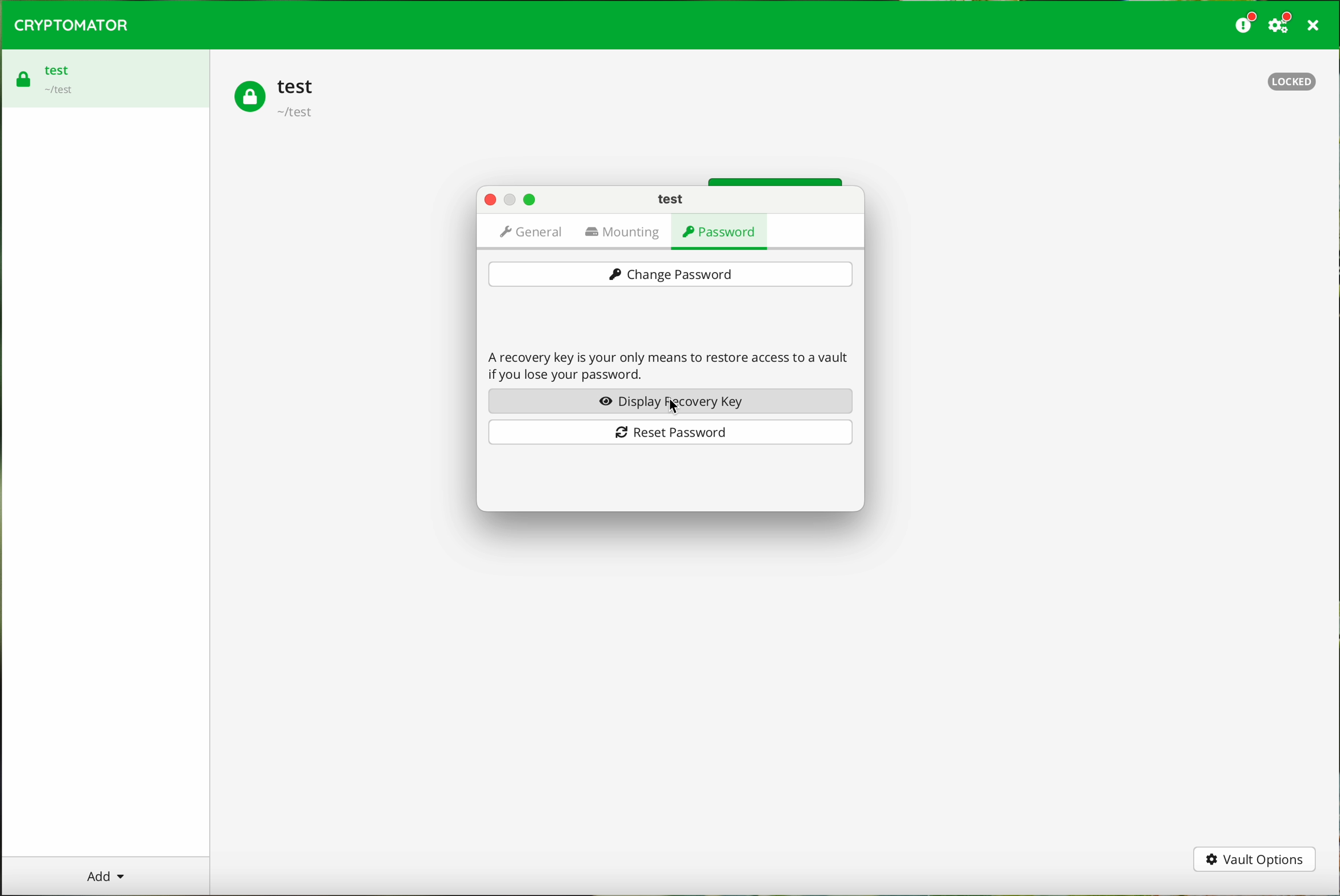 The height and width of the screenshot is (896, 1340). Describe the element at coordinates (49, 75) in the screenshot. I see `test vault` at that location.